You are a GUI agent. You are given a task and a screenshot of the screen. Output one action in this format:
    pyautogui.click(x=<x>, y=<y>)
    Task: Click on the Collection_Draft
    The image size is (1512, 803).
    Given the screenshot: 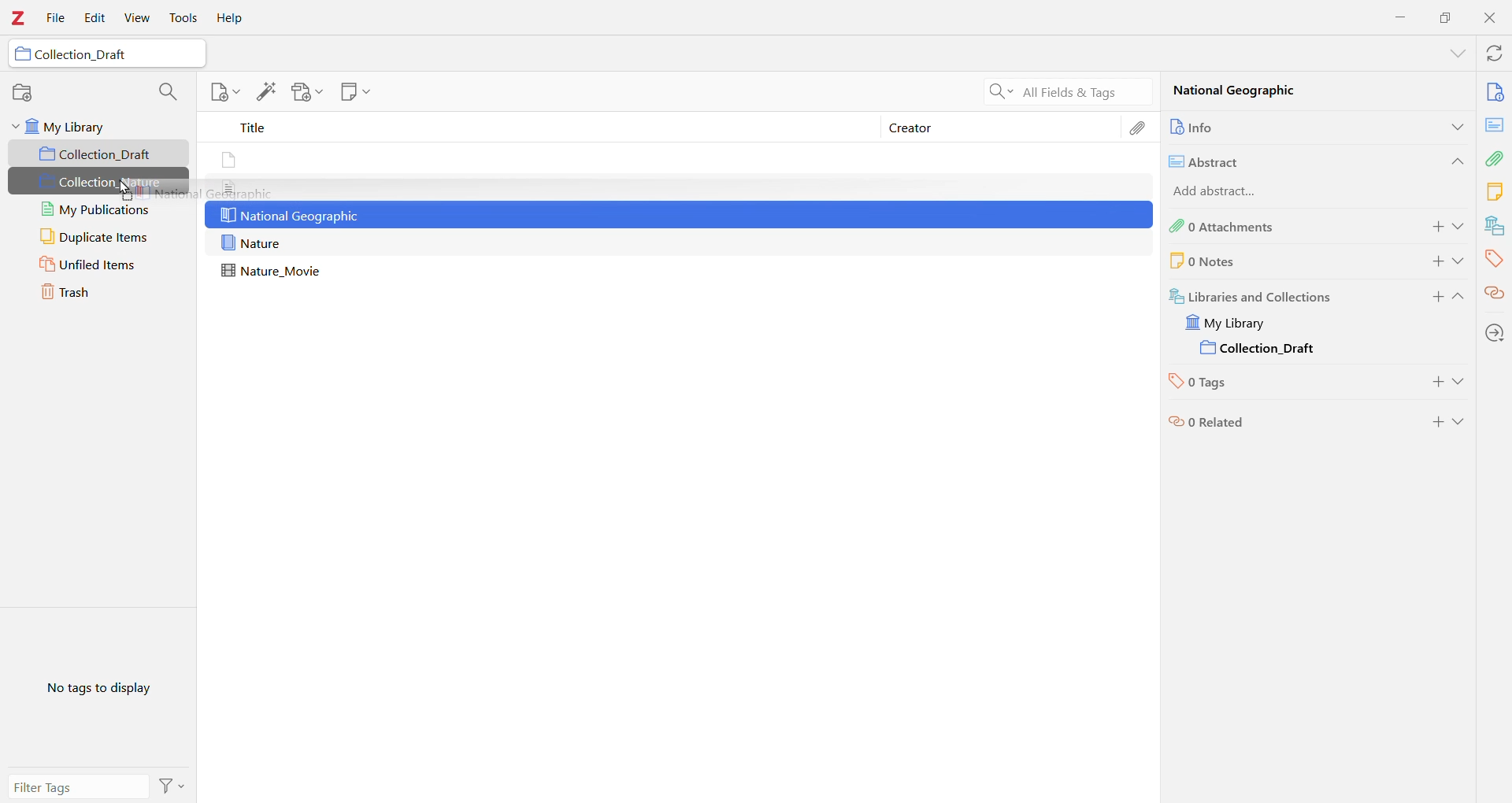 What is the action you would take?
    pyautogui.click(x=105, y=55)
    